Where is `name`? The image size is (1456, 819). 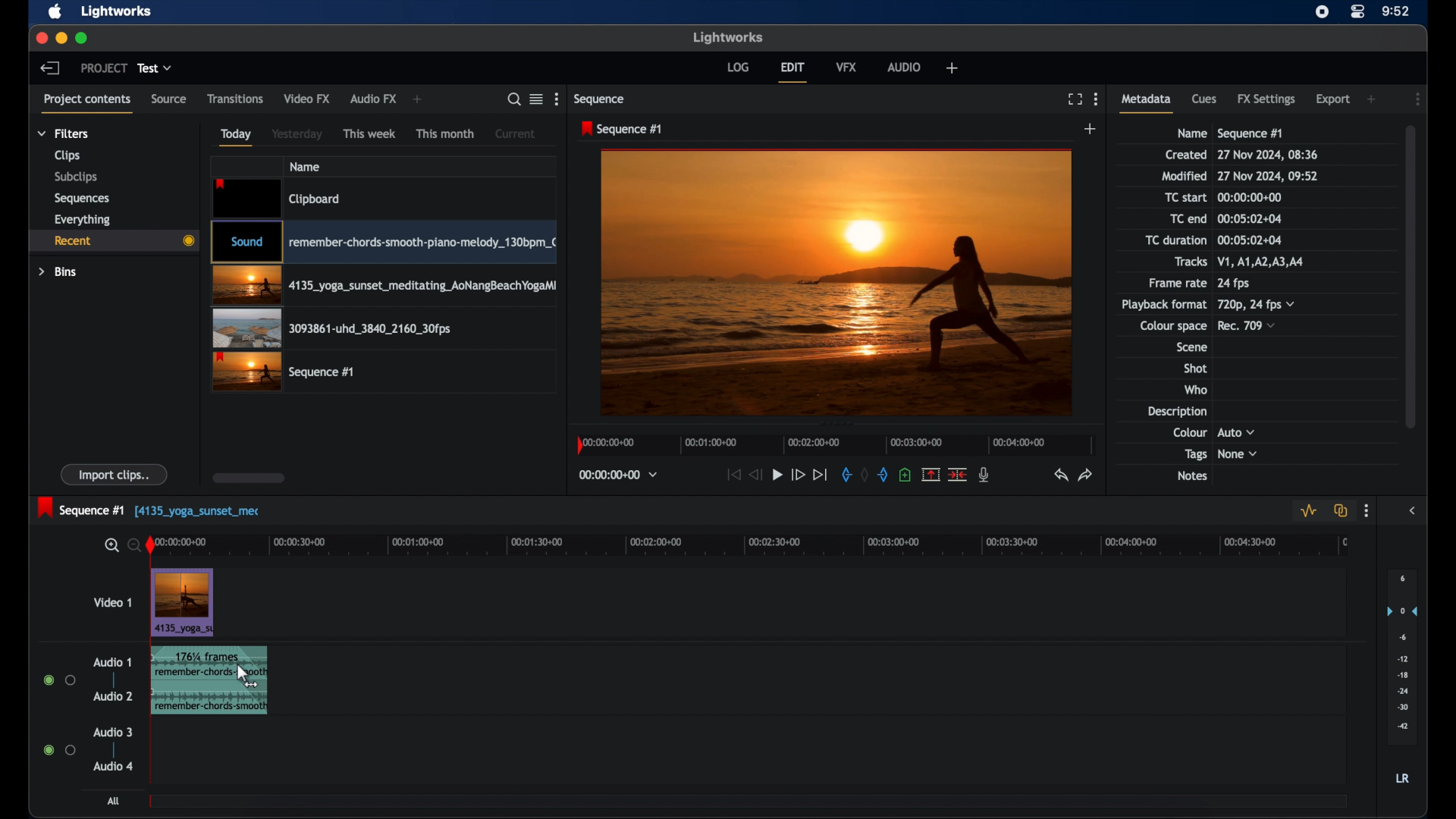
name is located at coordinates (304, 167).